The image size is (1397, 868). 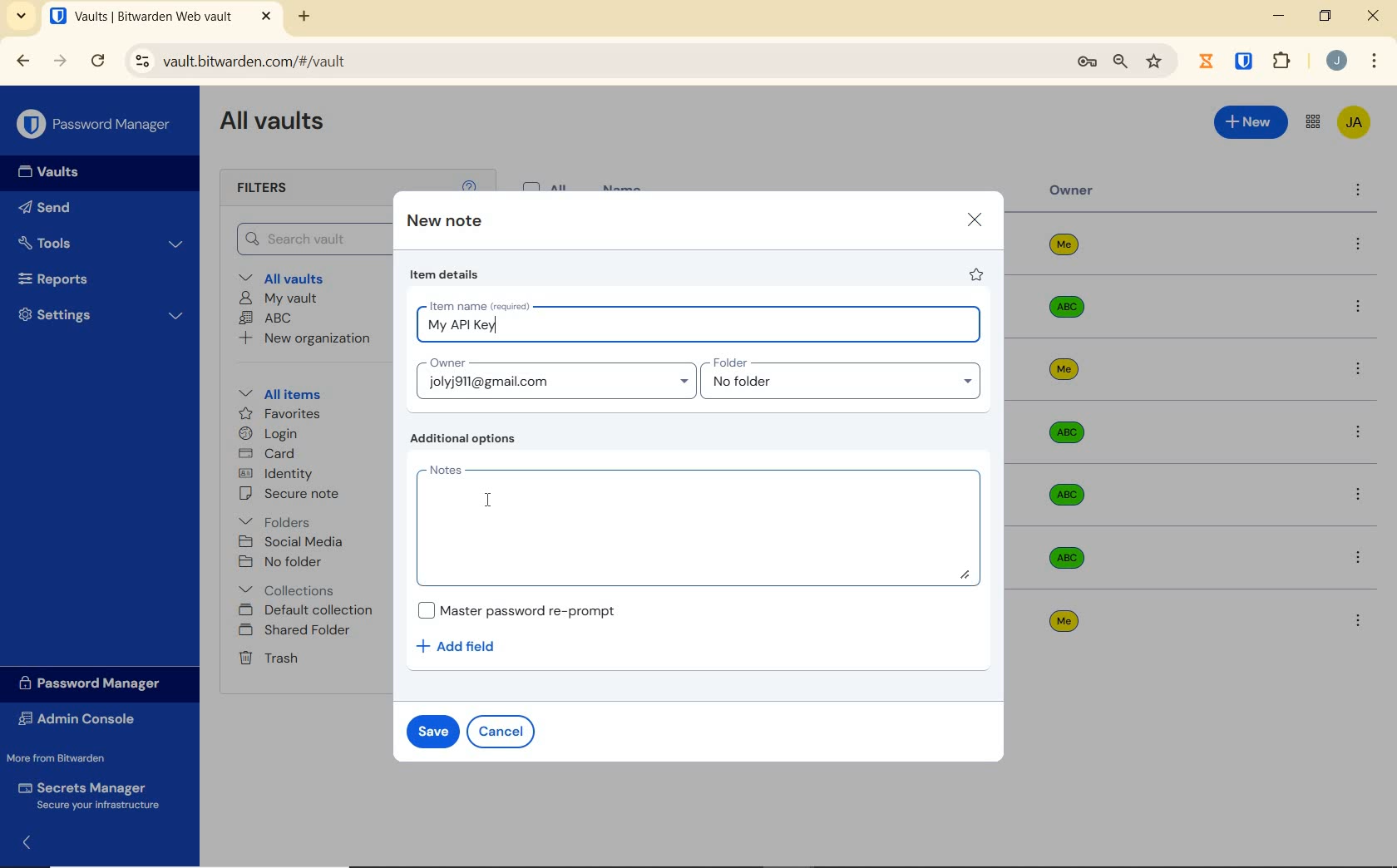 I want to click on Bitwarden Account, so click(x=1353, y=121).